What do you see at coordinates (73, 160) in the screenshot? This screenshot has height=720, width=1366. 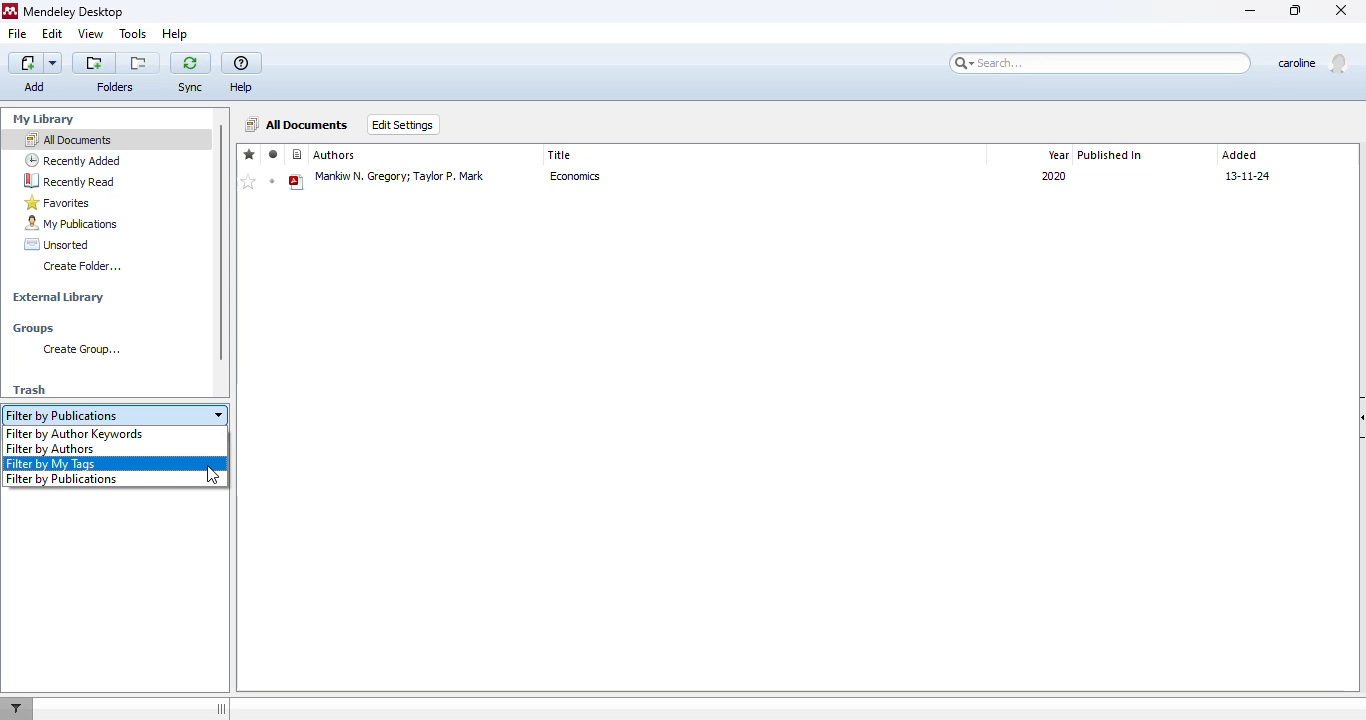 I see `recently added` at bounding box center [73, 160].